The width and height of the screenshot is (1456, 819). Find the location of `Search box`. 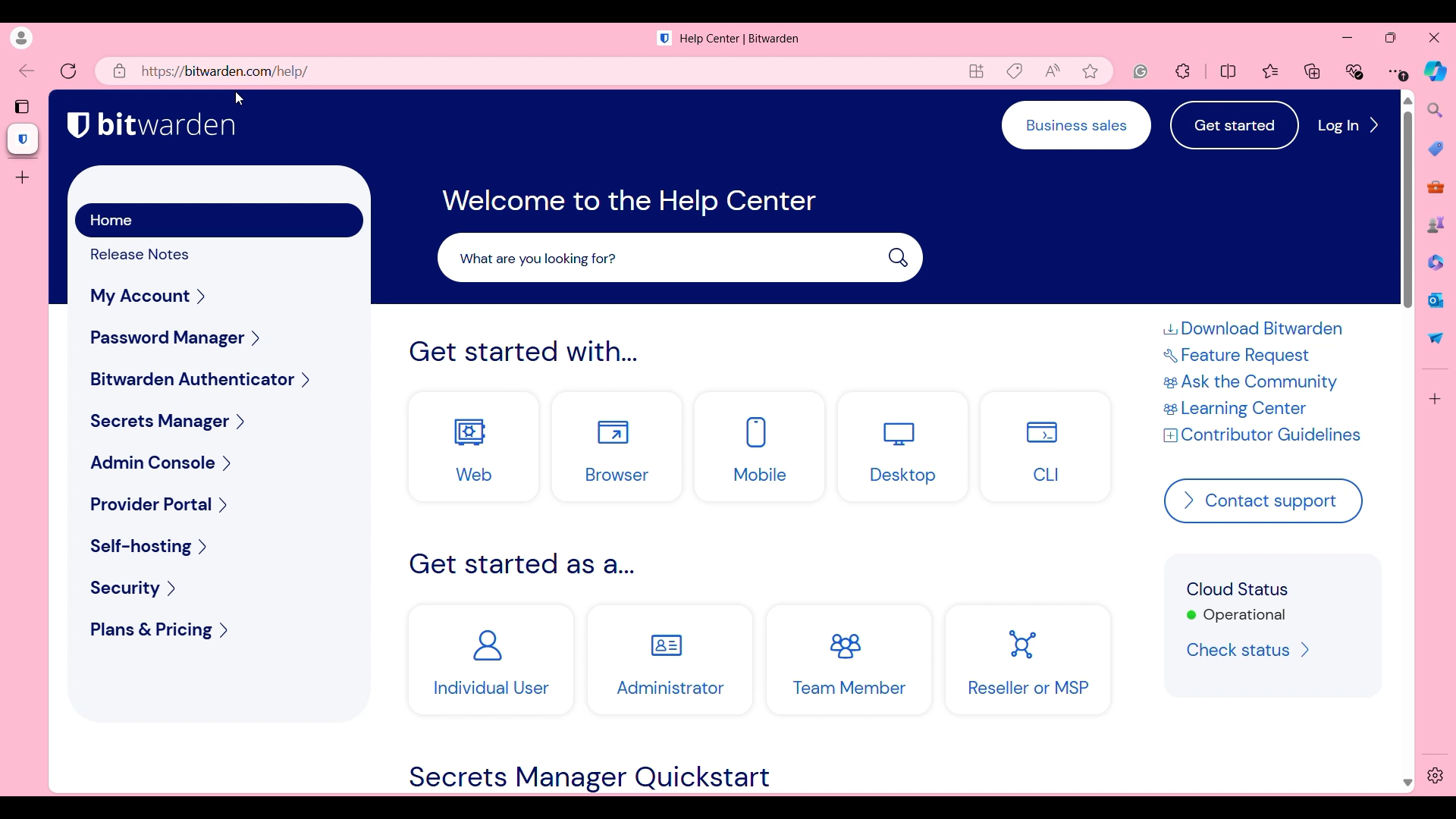

Search box is located at coordinates (681, 257).